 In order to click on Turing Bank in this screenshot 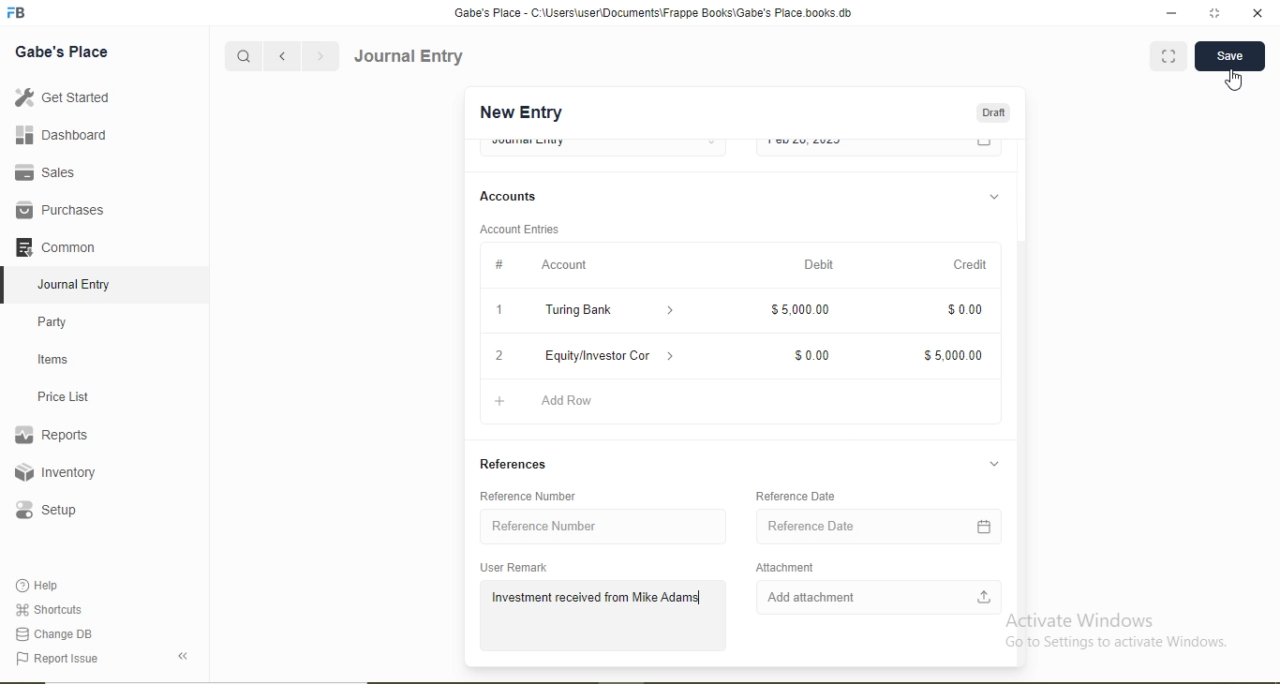, I will do `click(579, 311)`.